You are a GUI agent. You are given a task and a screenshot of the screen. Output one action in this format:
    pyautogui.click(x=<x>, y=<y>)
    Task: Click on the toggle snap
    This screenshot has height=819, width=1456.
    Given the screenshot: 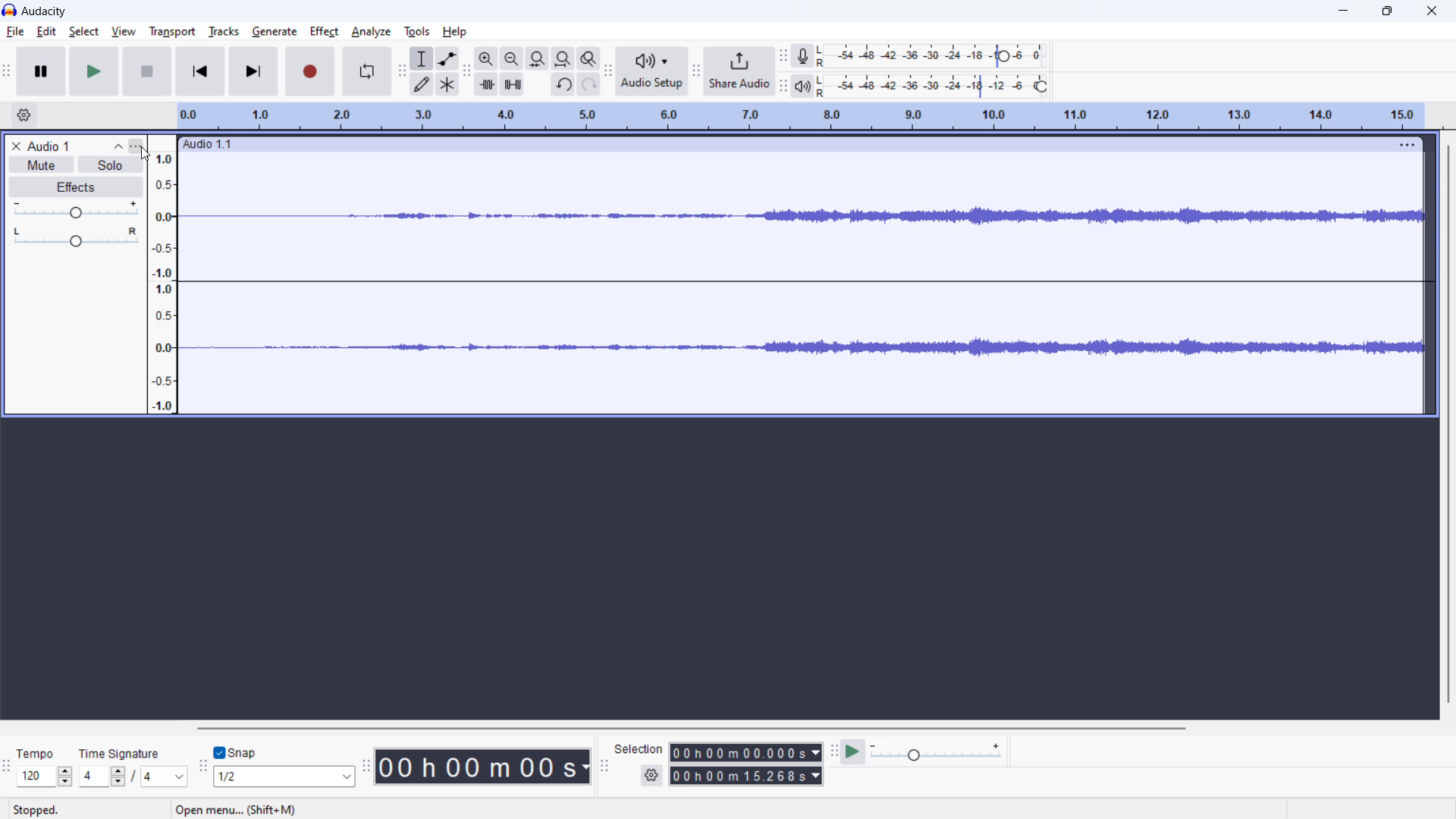 What is the action you would take?
    pyautogui.click(x=236, y=753)
    